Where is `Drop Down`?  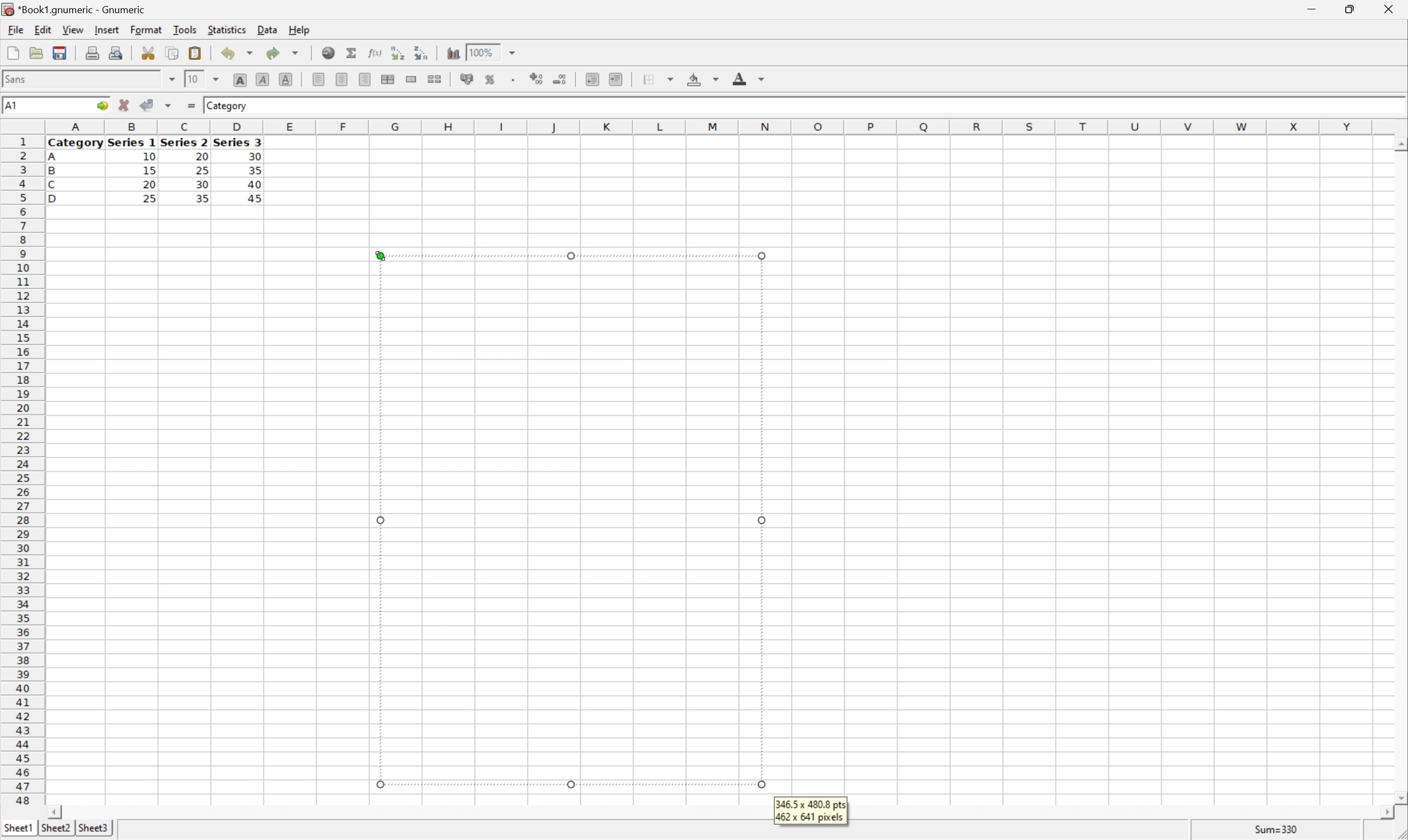
Drop Down is located at coordinates (216, 80).